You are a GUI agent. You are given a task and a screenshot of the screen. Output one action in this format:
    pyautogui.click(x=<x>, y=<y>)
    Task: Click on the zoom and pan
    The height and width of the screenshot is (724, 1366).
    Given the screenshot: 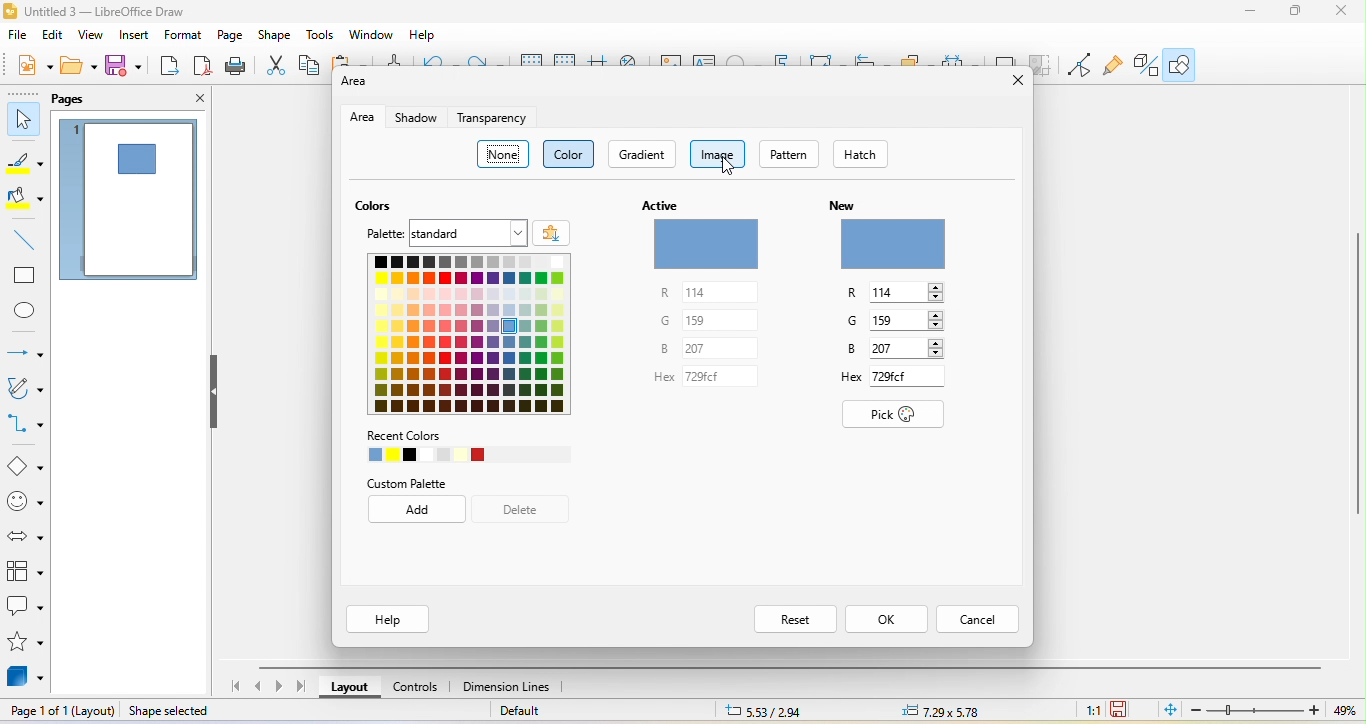 What is the action you would take?
    pyautogui.click(x=632, y=61)
    